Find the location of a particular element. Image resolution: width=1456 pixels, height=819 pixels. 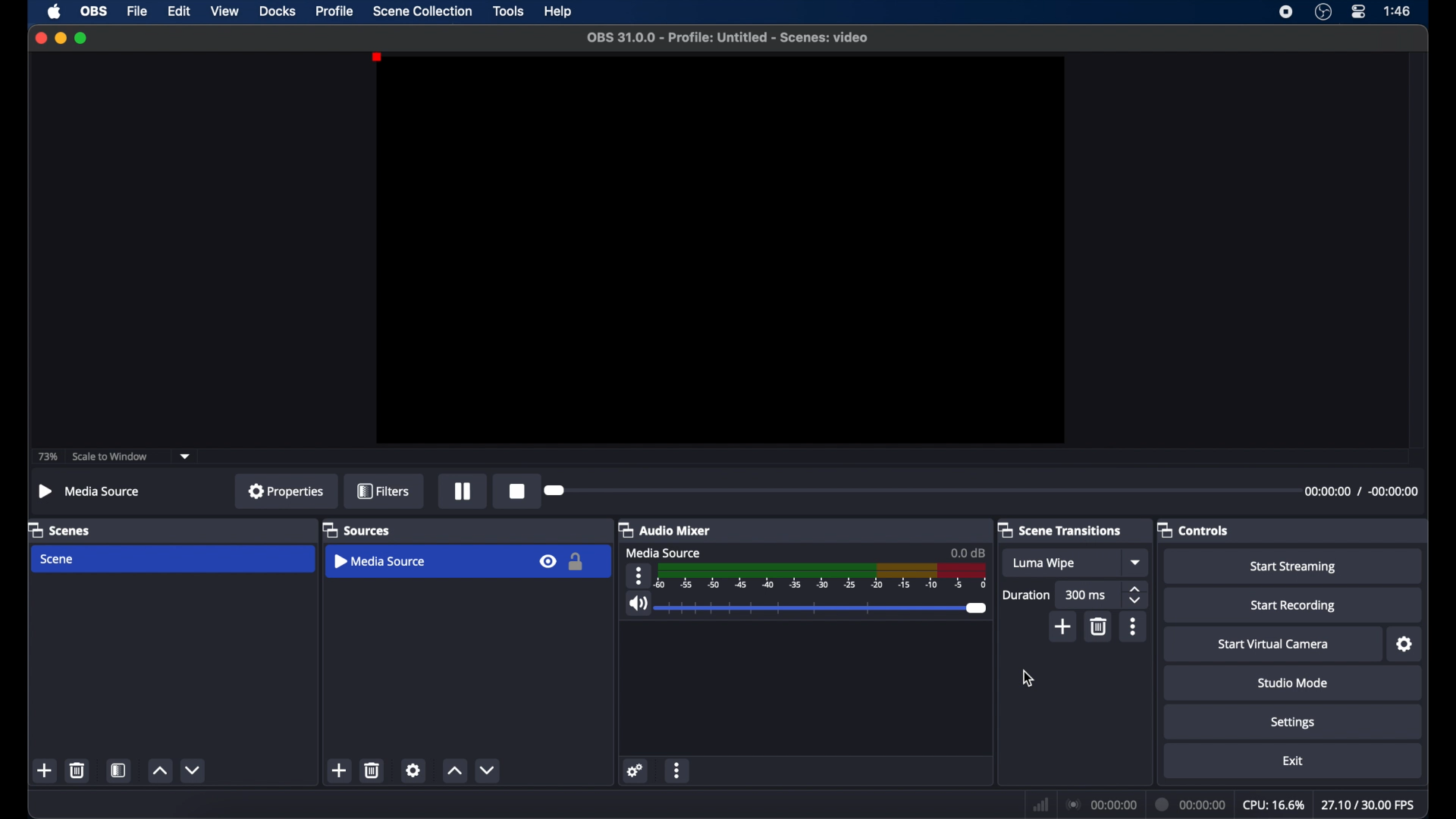

audio mixer is located at coordinates (664, 529).